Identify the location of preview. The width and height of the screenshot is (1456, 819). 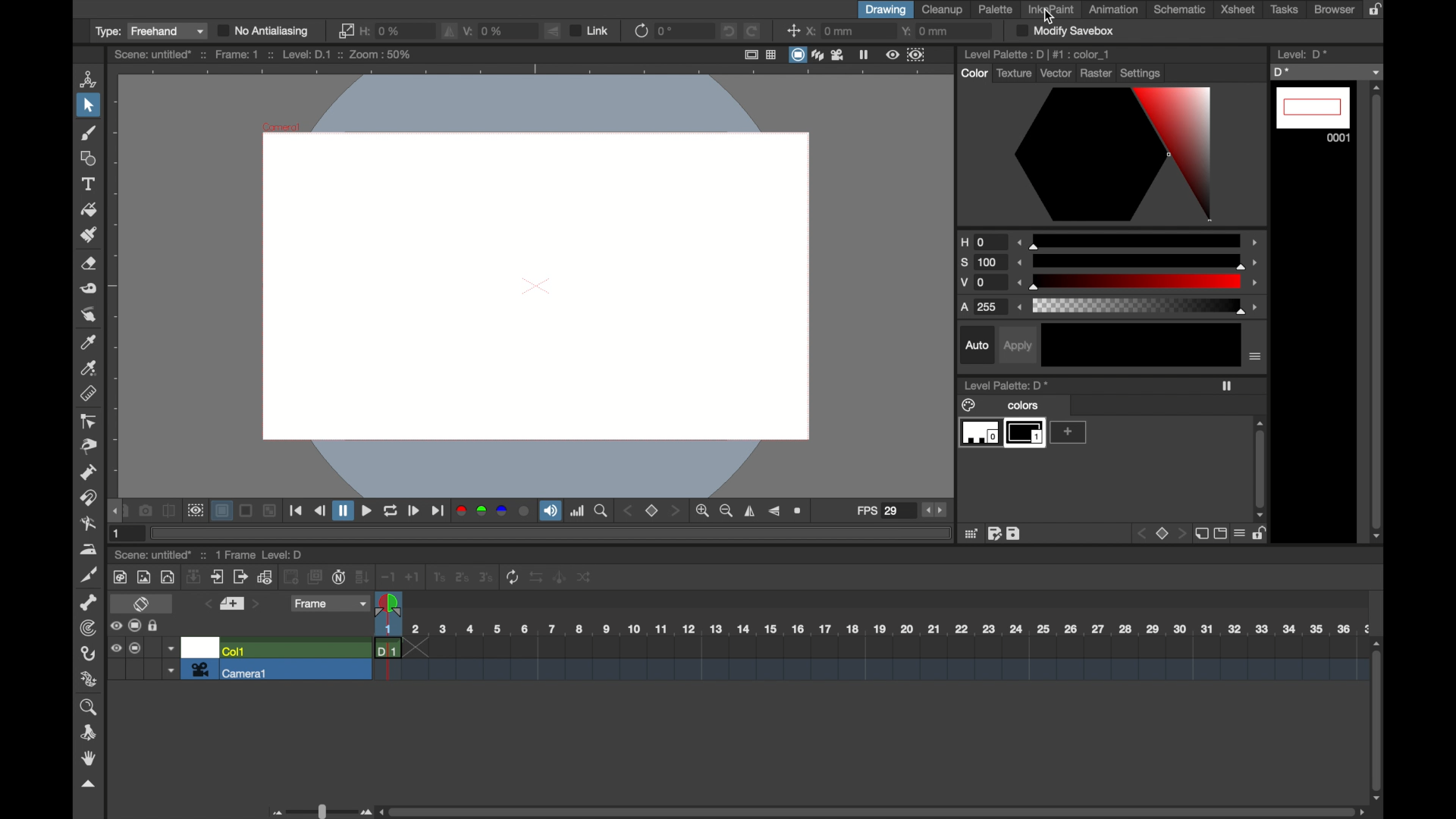
(195, 509).